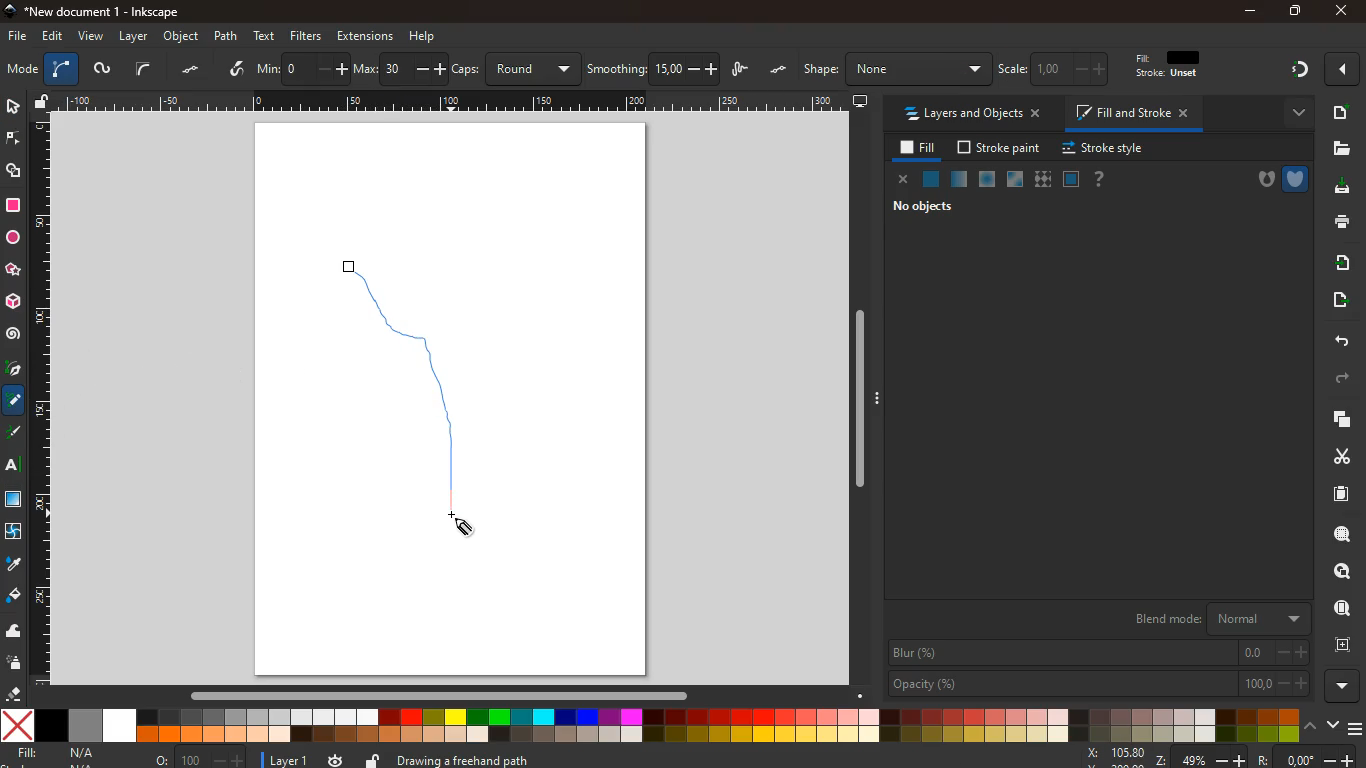 The image size is (1366, 768). I want to click on path, so click(228, 35).